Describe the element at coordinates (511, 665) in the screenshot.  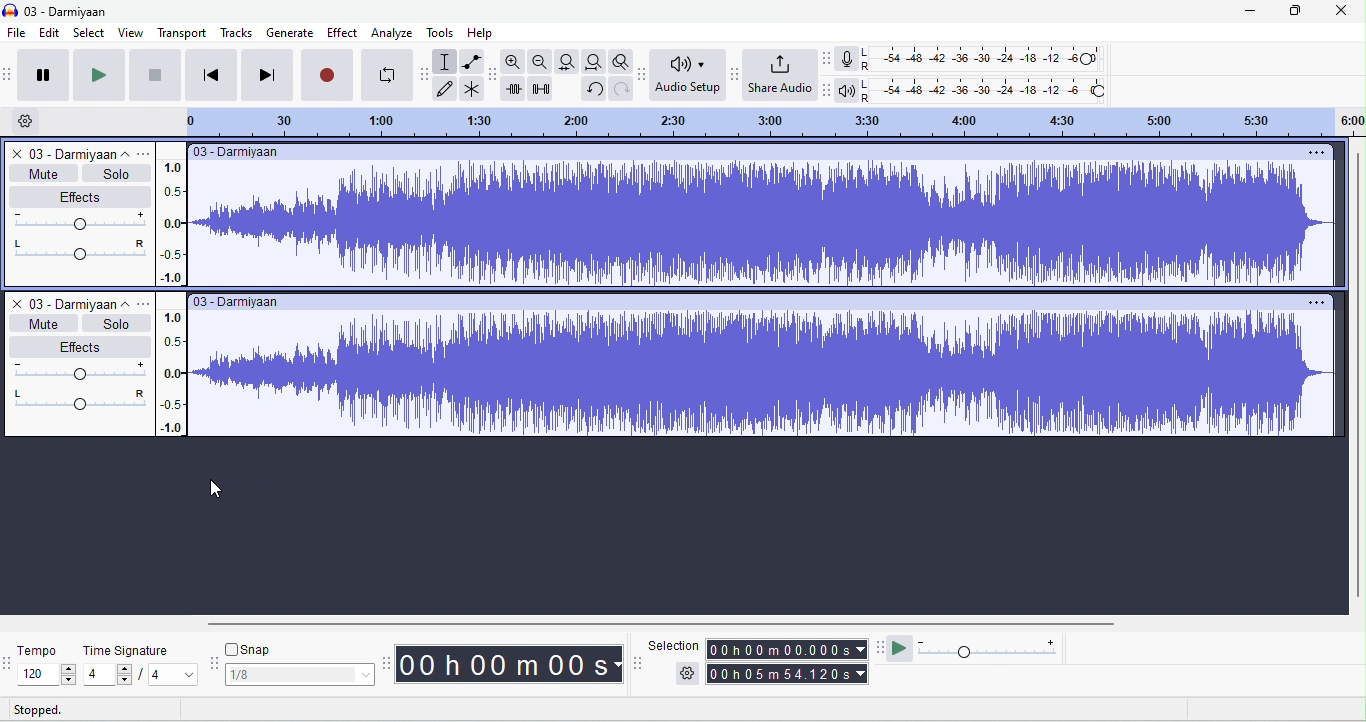
I see `time` at that location.